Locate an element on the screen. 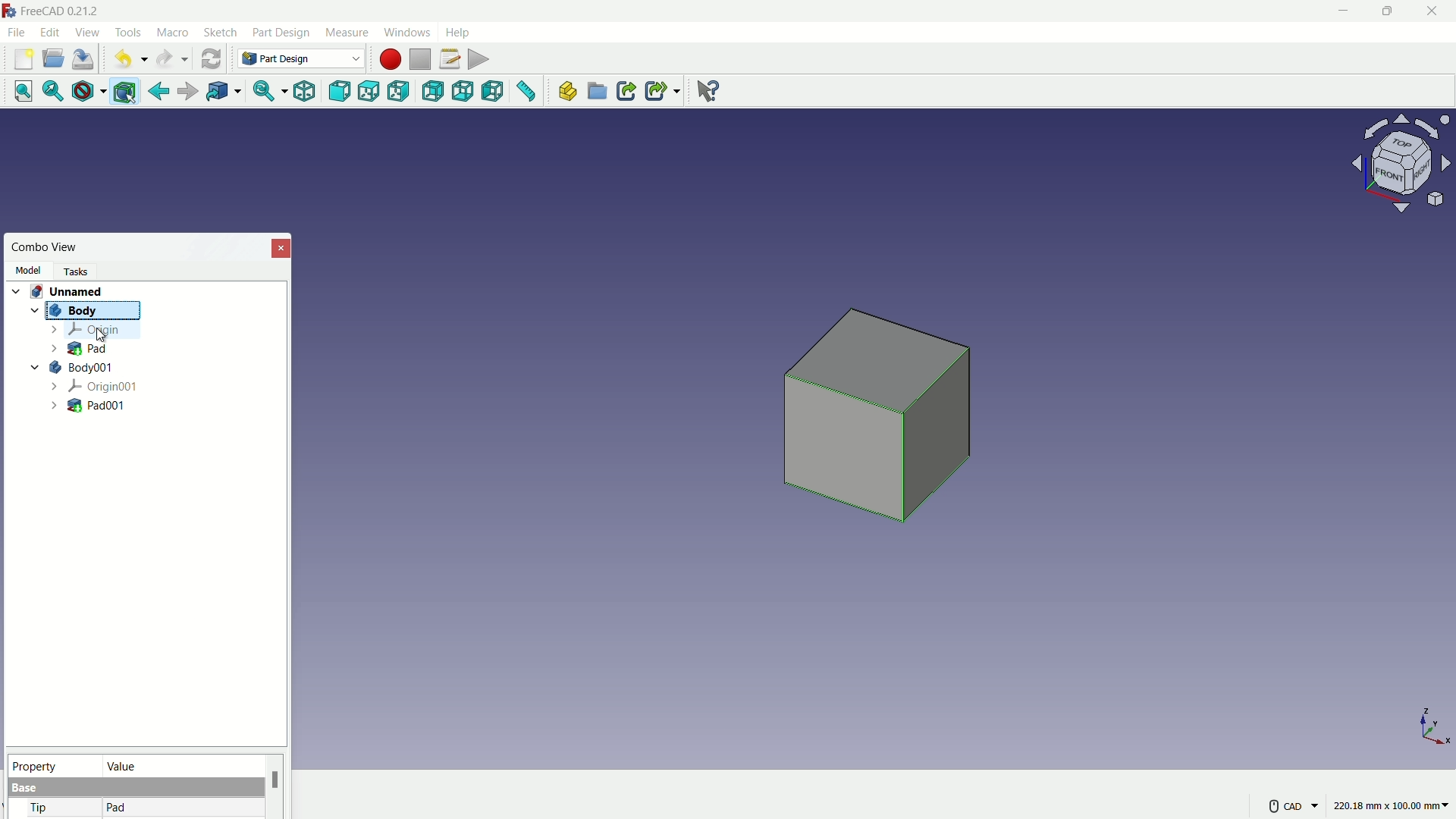 The image size is (1456, 819). property is located at coordinates (52, 764).